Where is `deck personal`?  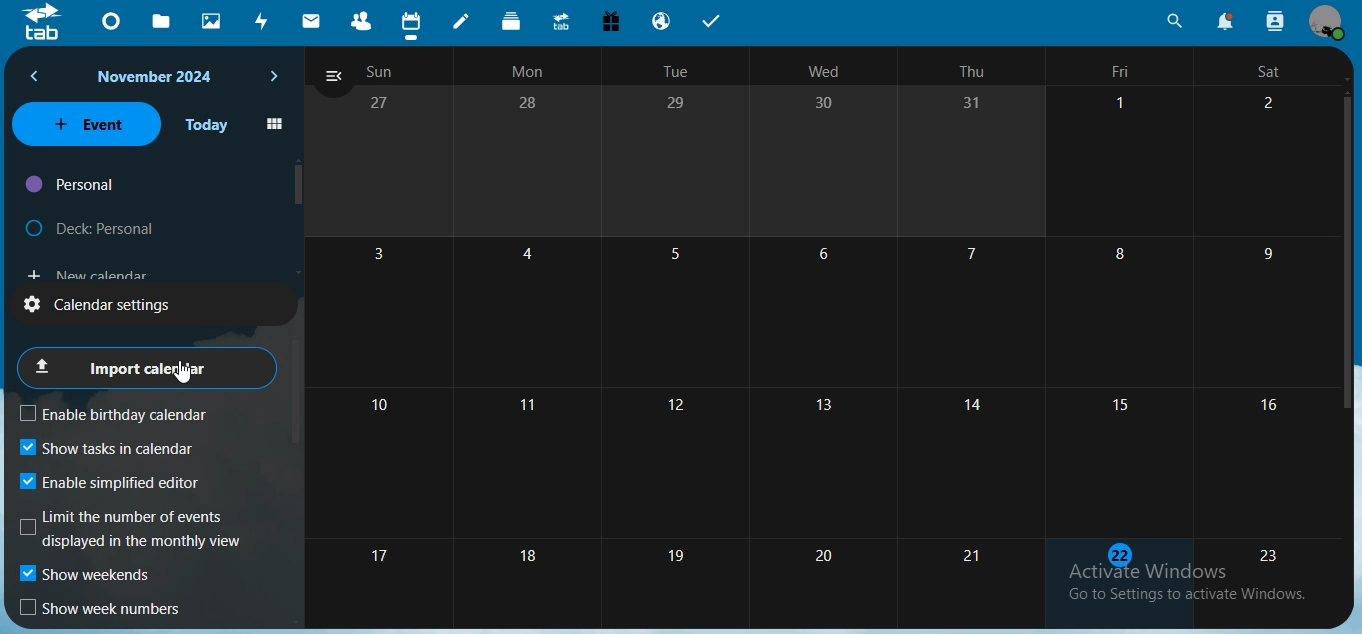 deck personal is located at coordinates (94, 224).